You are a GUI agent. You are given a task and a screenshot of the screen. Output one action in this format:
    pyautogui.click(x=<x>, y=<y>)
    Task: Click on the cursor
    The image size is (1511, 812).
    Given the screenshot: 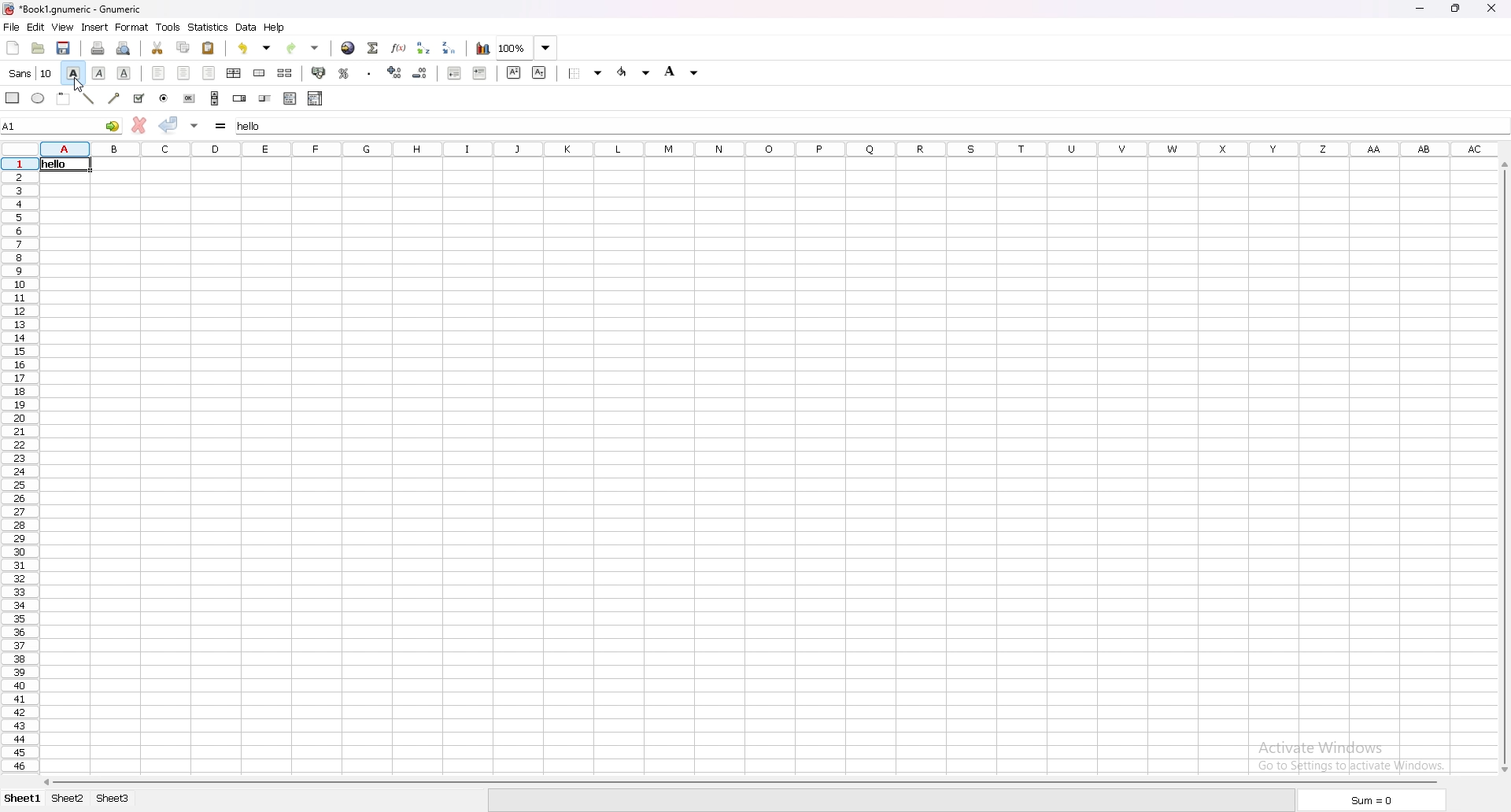 What is the action you would take?
    pyautogui.click(x=77, y=83)
    